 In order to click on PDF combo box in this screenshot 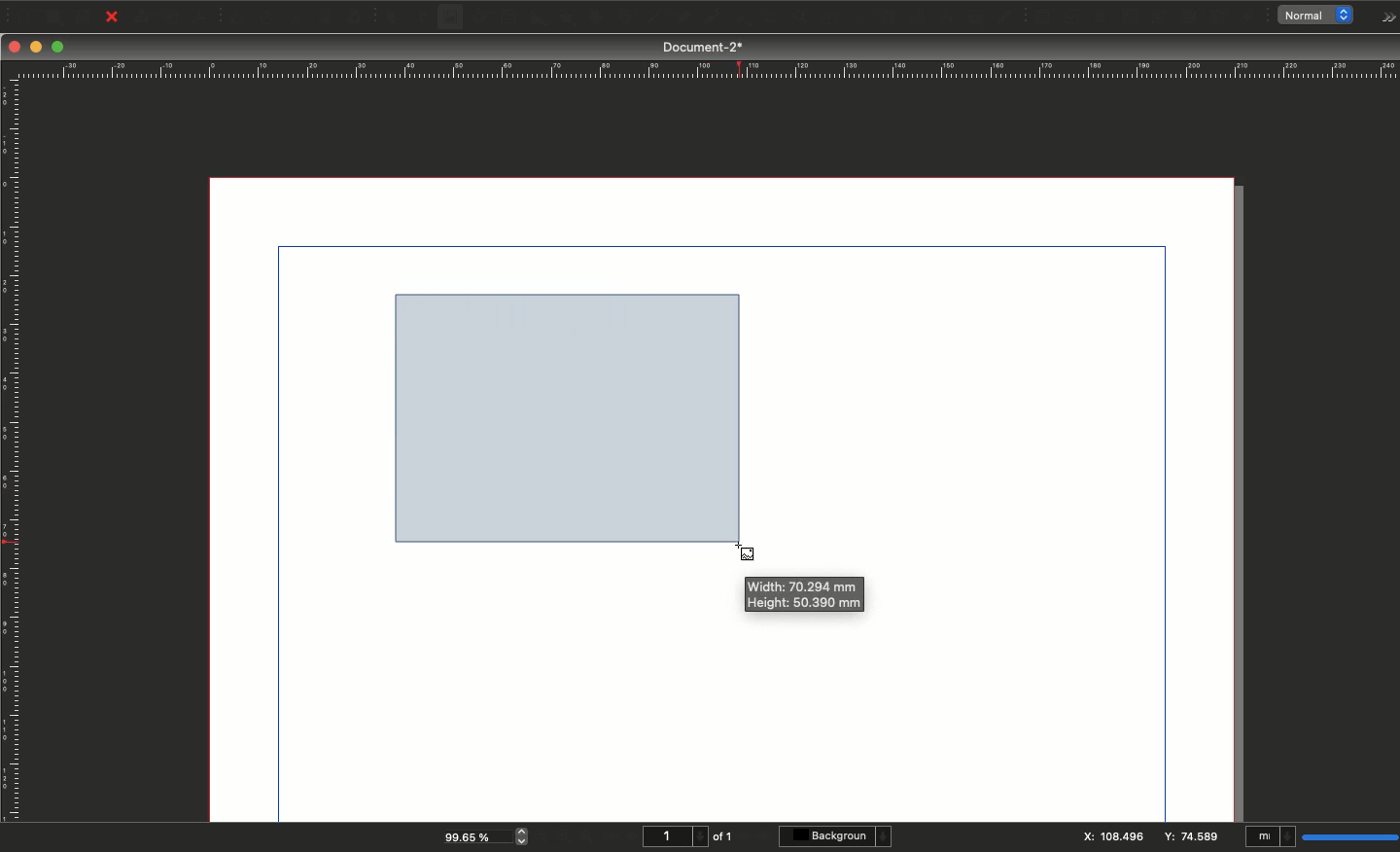, I will do `click(1157, 18)`.